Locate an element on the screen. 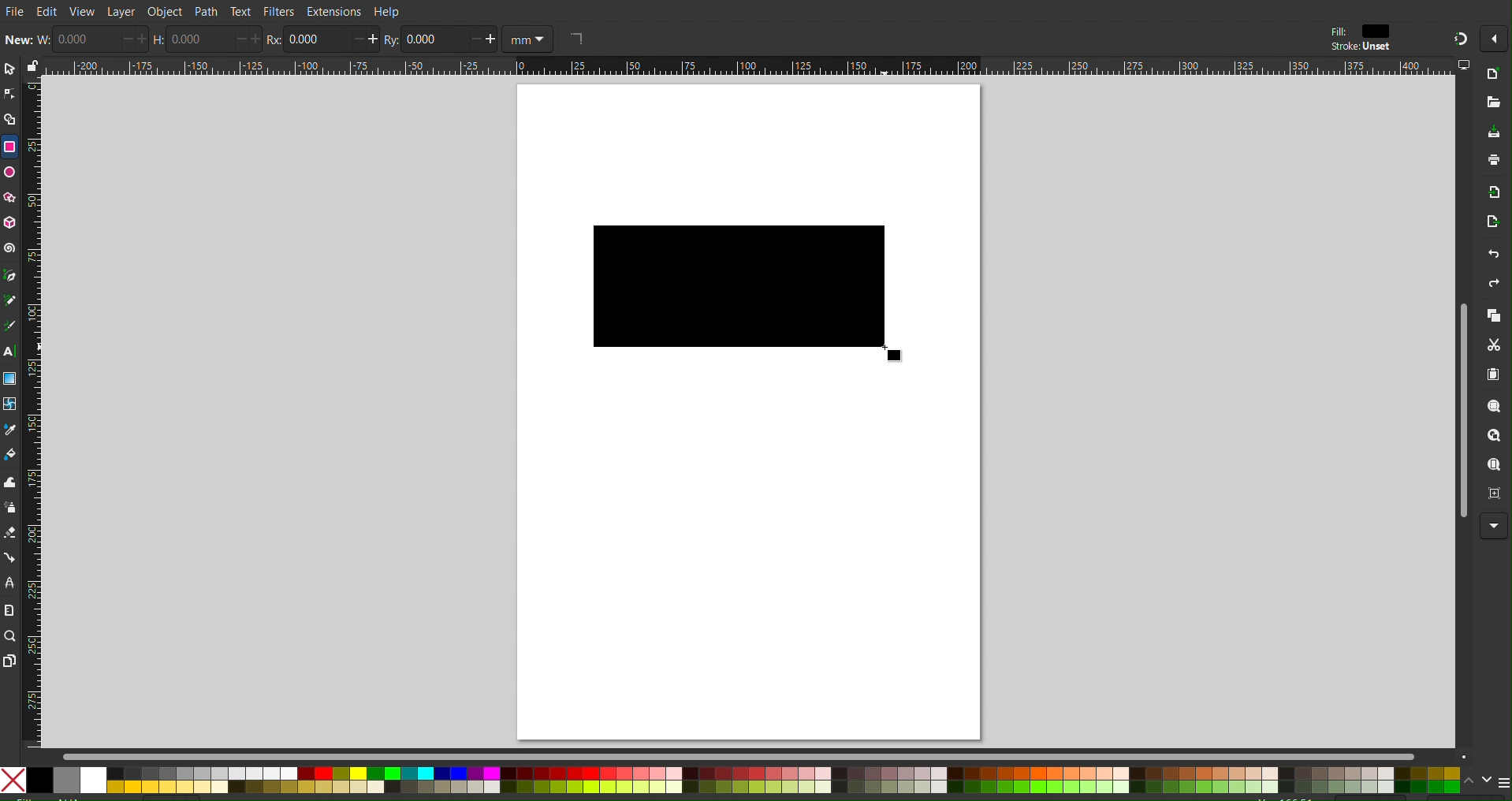 This screenshot has height=801, width=1512. Units is located at coordinates (527, 39).